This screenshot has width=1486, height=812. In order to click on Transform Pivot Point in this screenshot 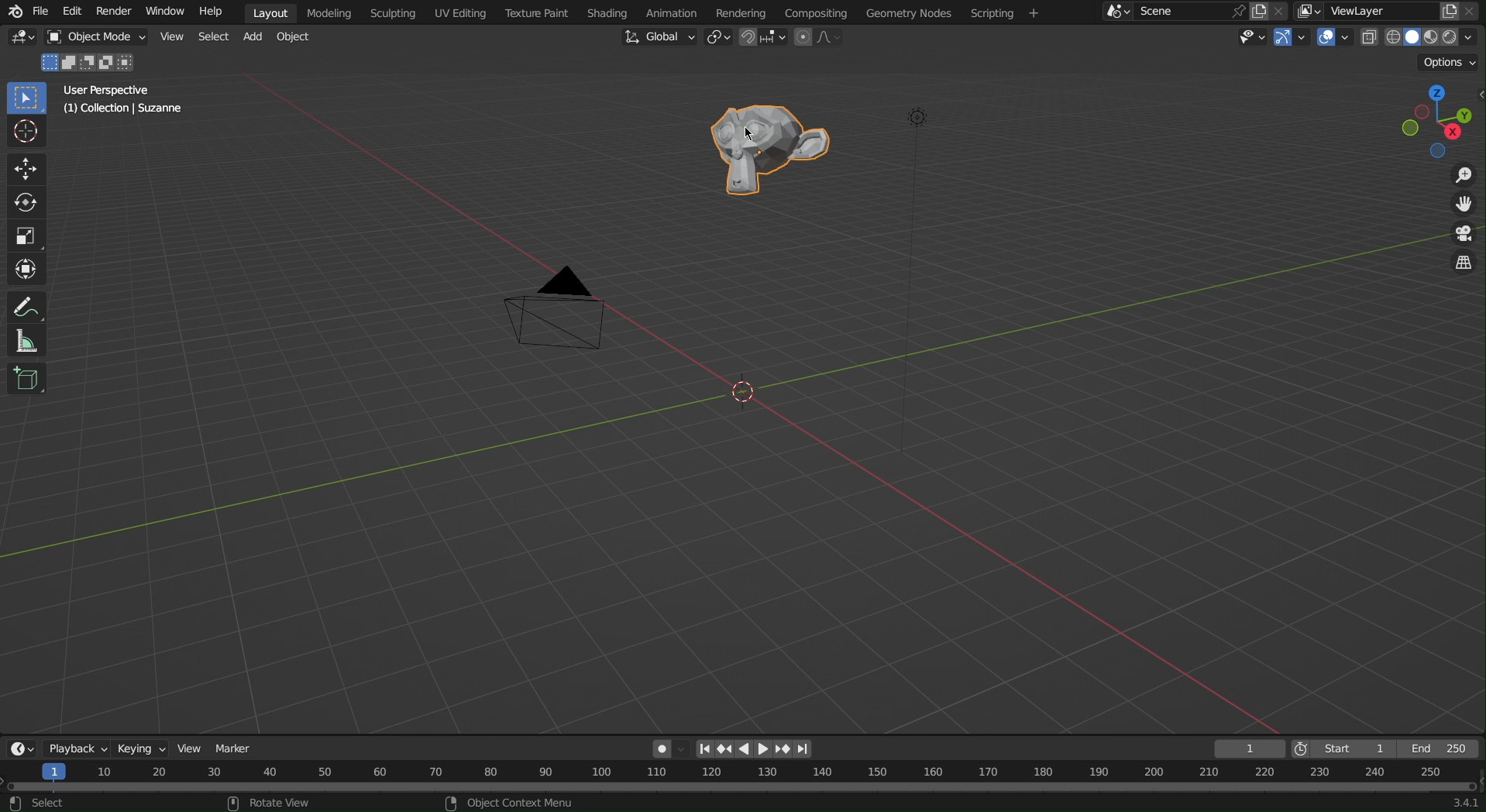, I will do `click(719, 39)`.